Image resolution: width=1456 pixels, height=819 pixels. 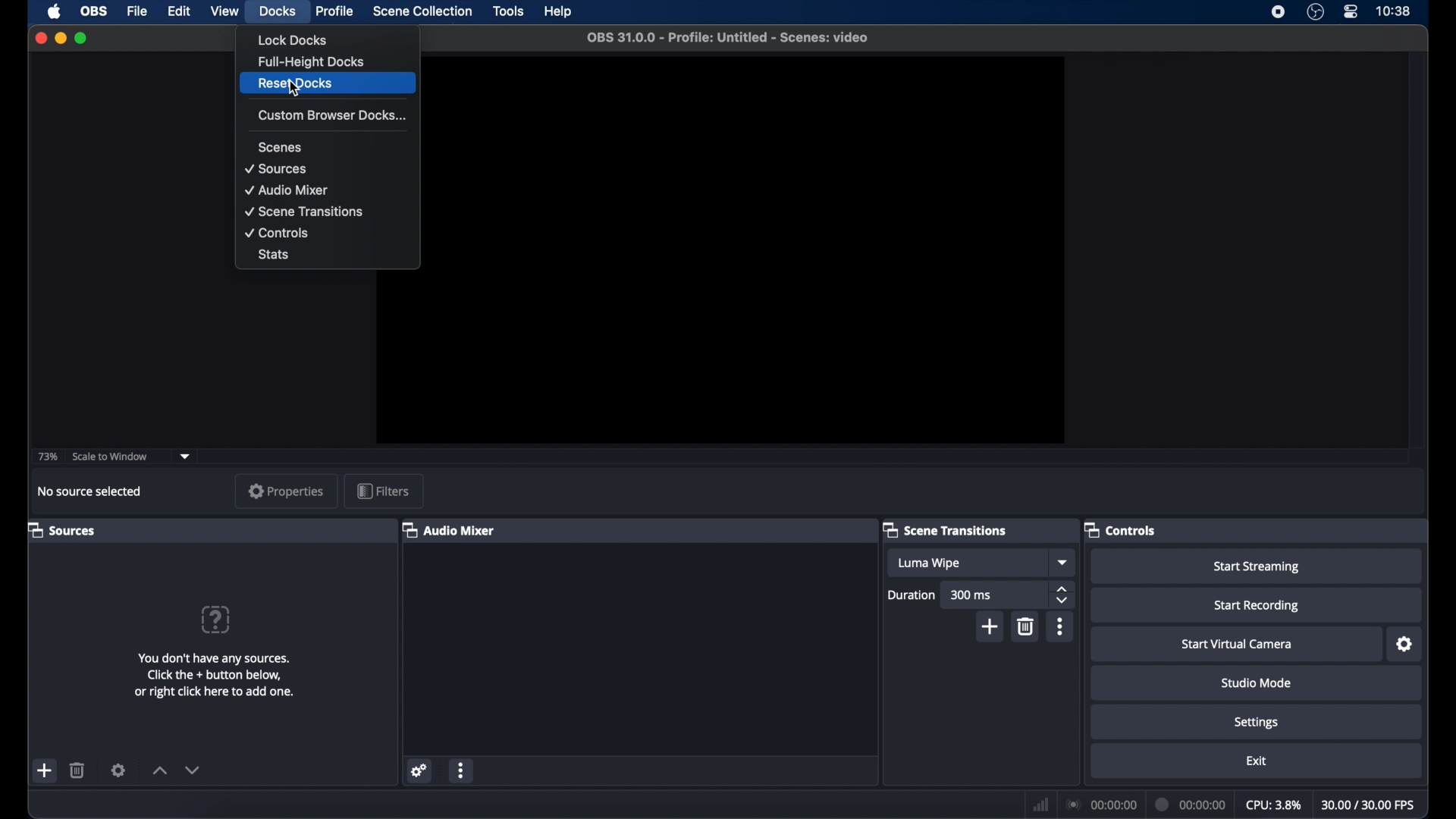 I want to click on stats, so click(x=274, y=256).